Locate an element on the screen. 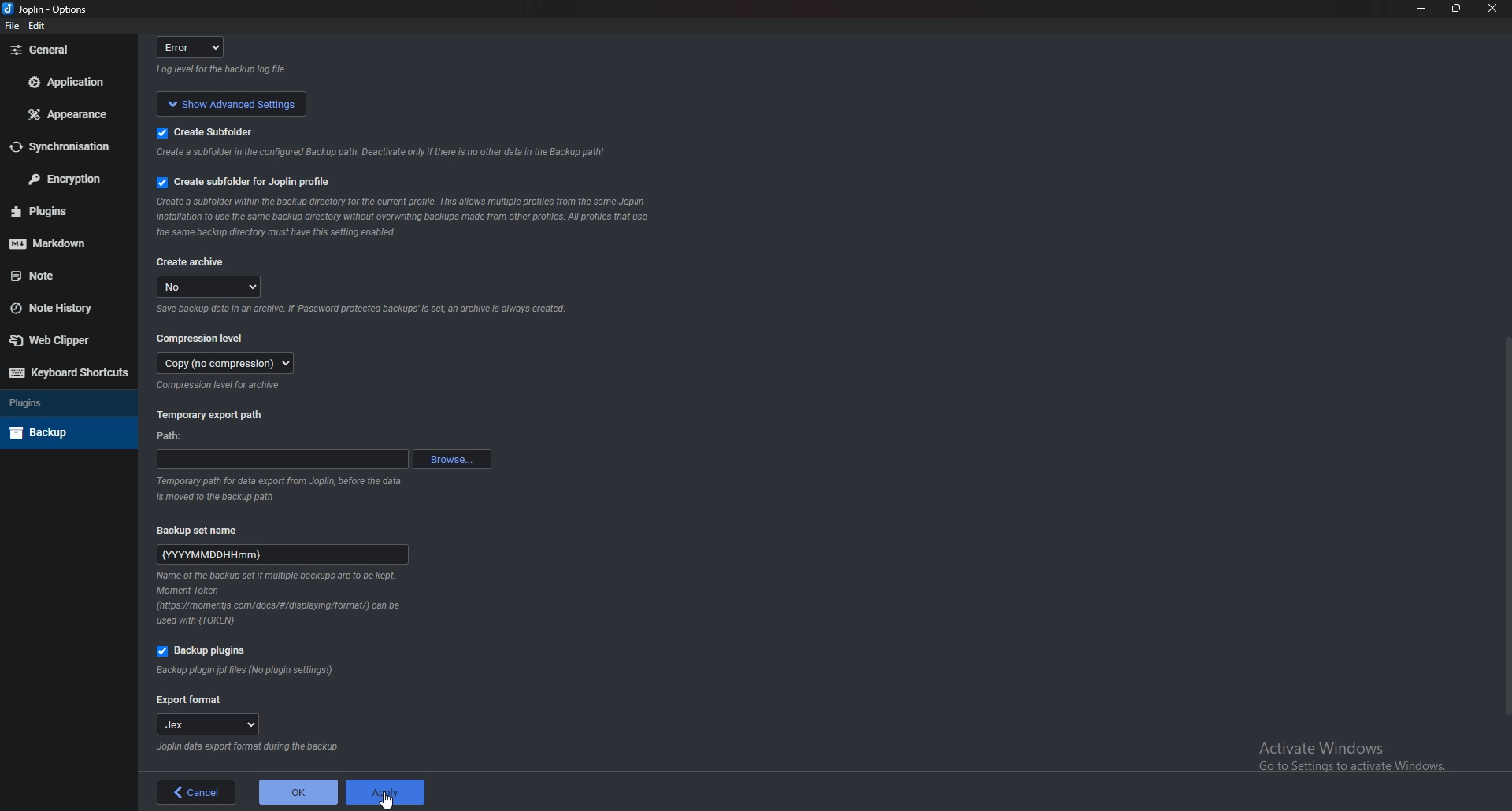 Image resolution: width=1512 pixels, height=811 pixels. path is located at coordinates (282, 459).